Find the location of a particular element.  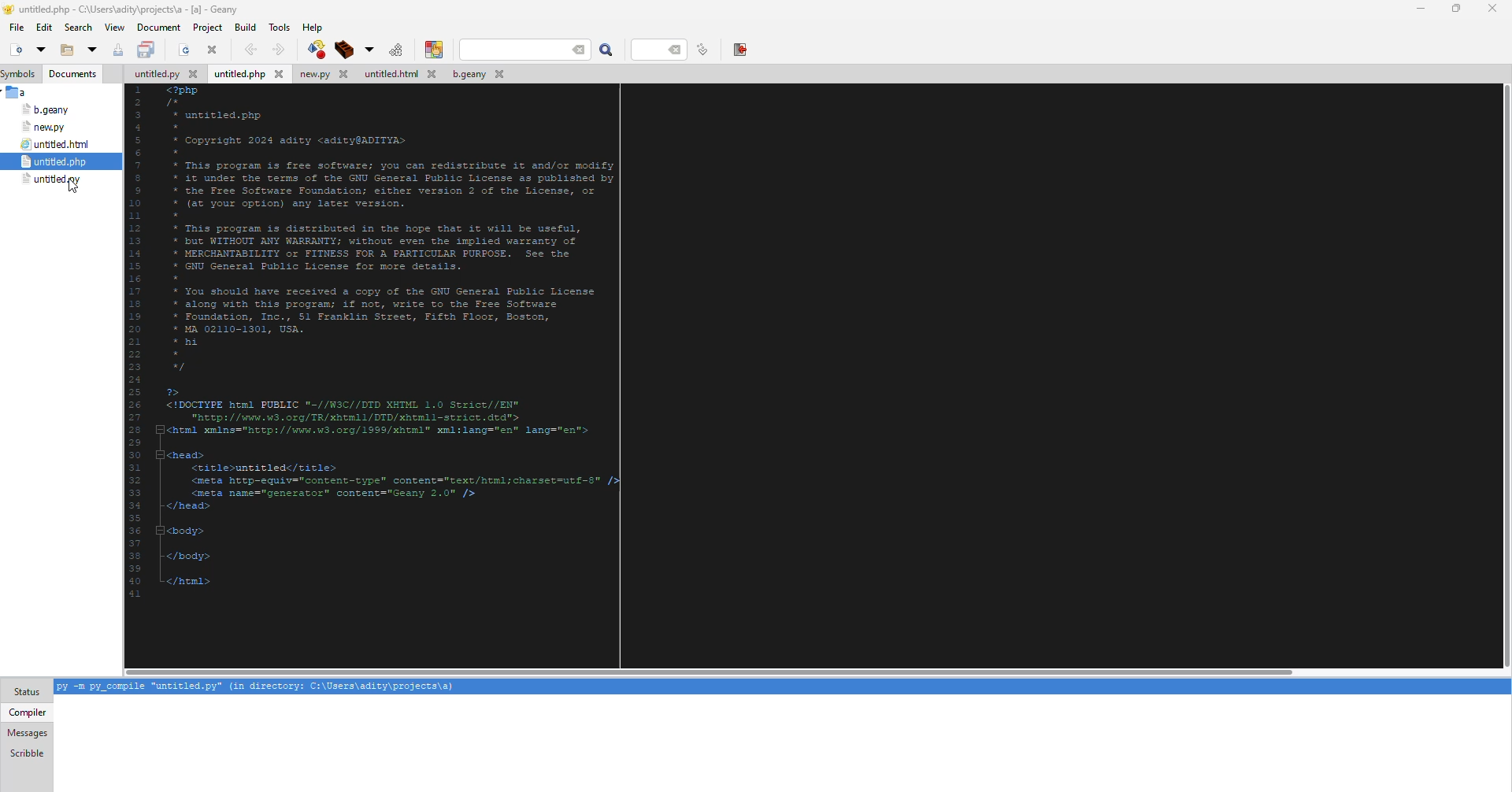

line is located at coordinates (658, 50).